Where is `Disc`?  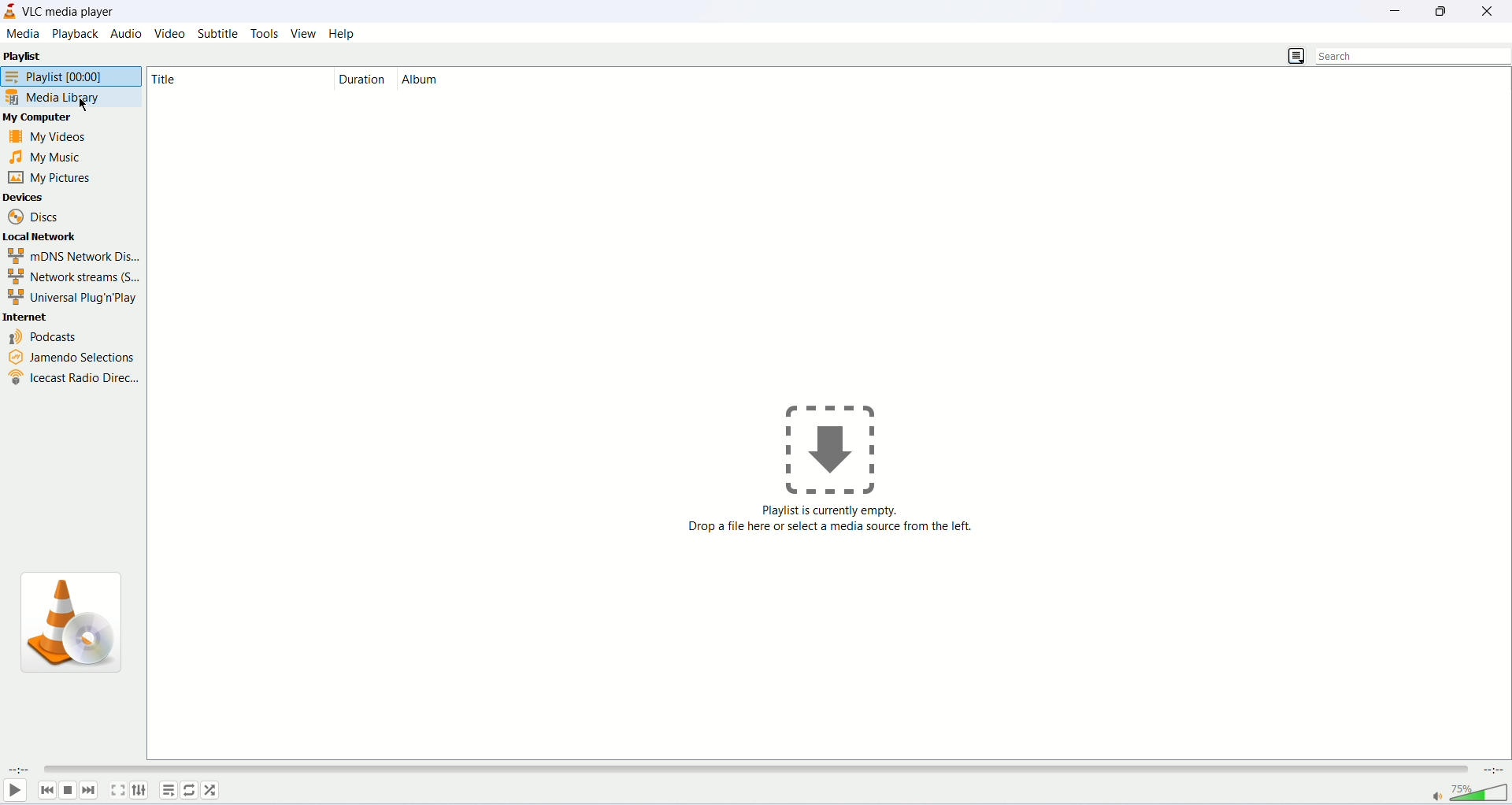 Disc is located at coordinates (36, 217).